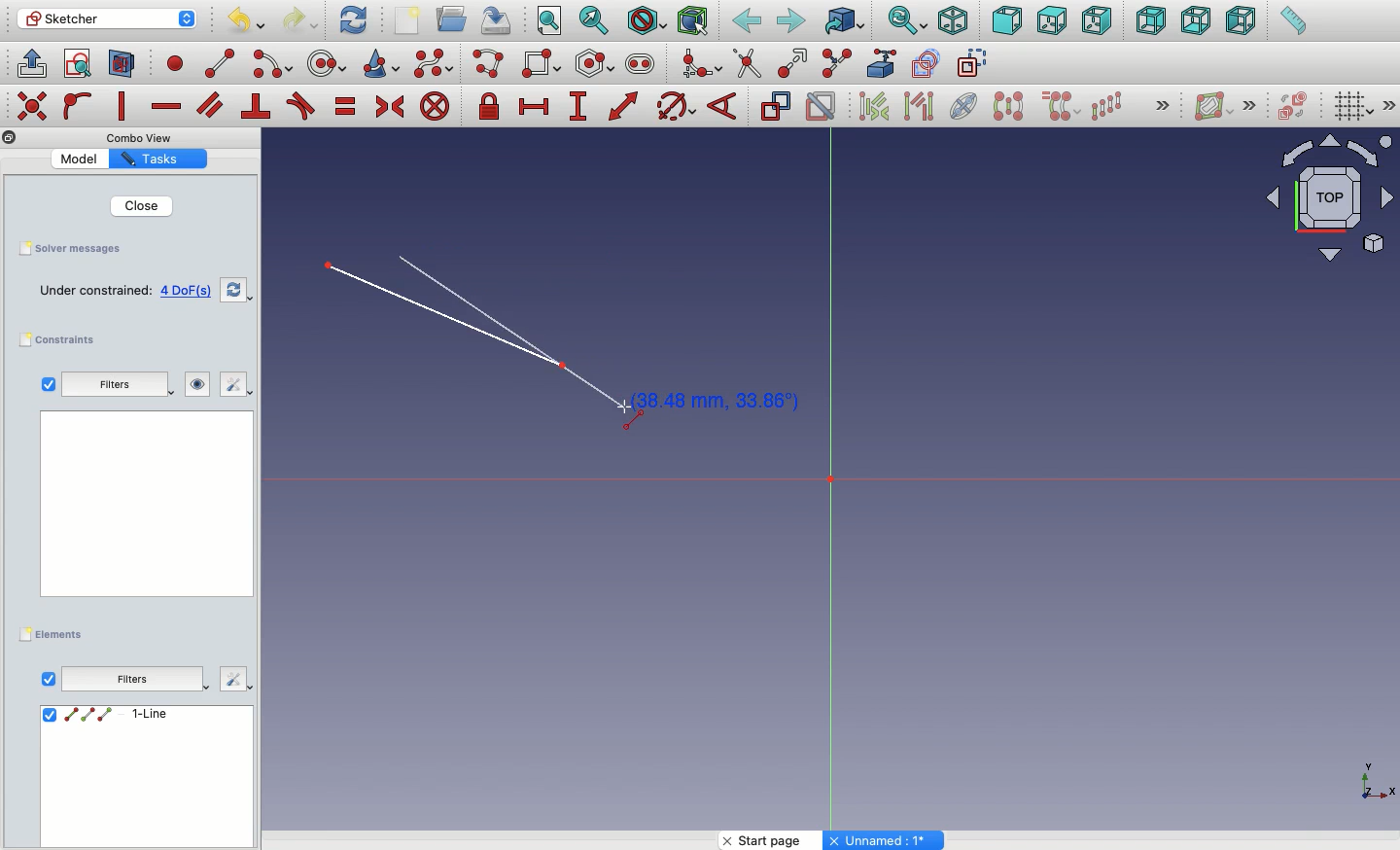  Describe the element at coordinates (624, 106) in the screenshot. I see `Constrain distance` at that location.